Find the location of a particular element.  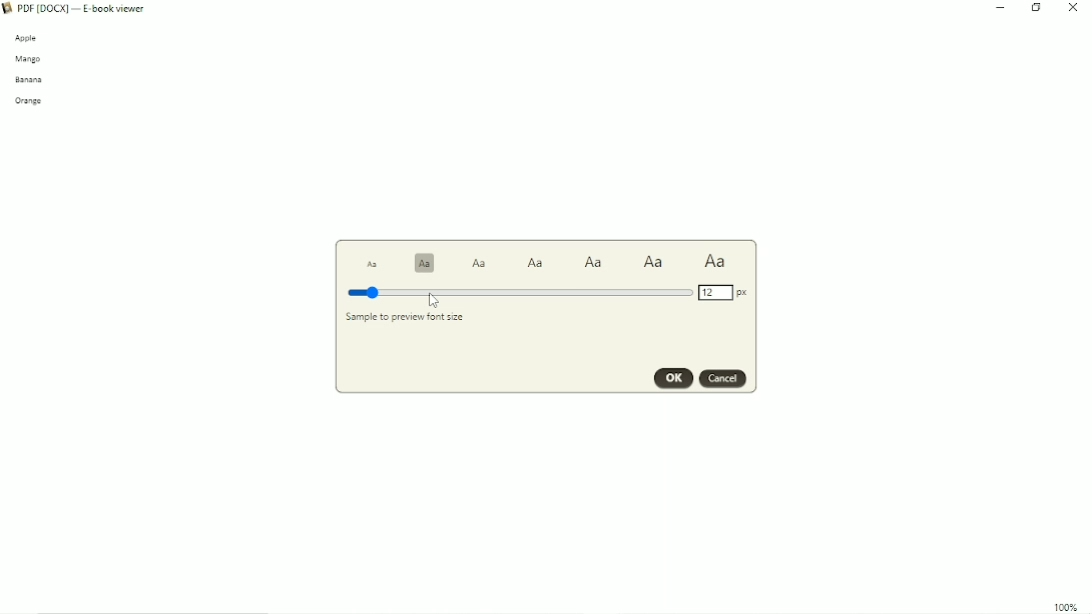

Text size is located at coordinates (594, 262).